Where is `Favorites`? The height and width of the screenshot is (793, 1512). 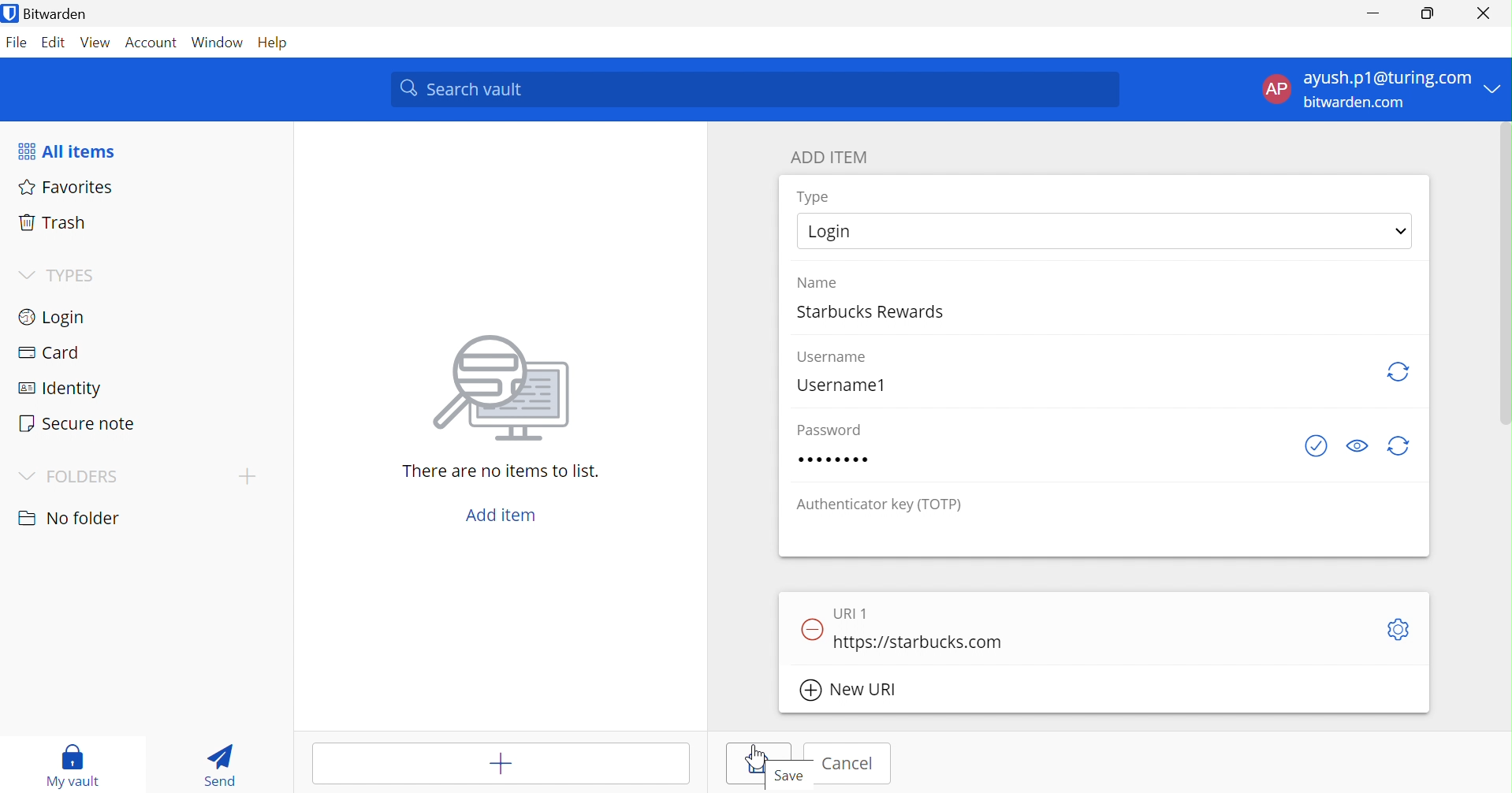 Favorites is located at coordinates (67, 188).